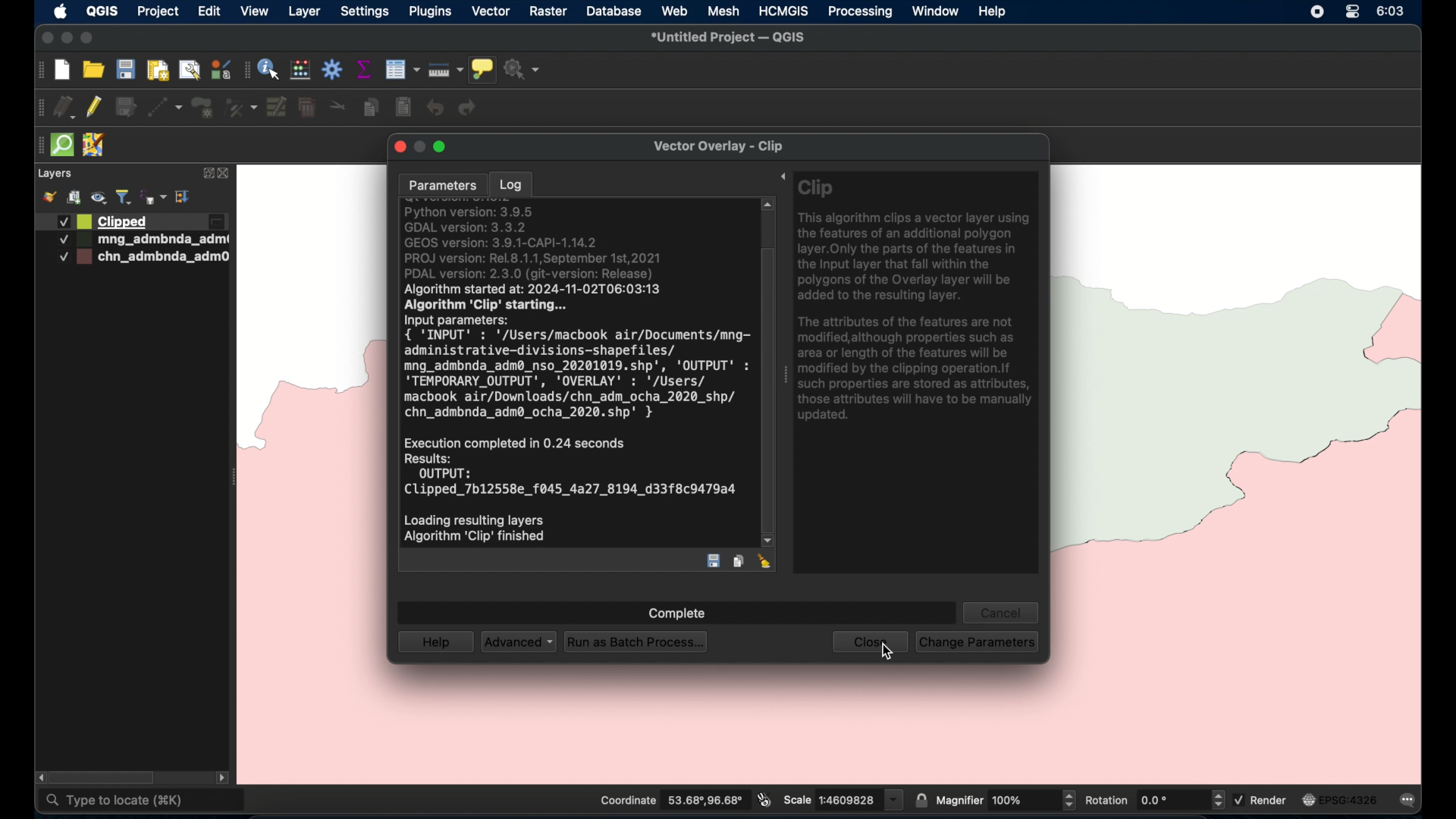  What do you see at coordinates (45, 38) in the screenshot?
I see `close` at bounding box center [45, 38].